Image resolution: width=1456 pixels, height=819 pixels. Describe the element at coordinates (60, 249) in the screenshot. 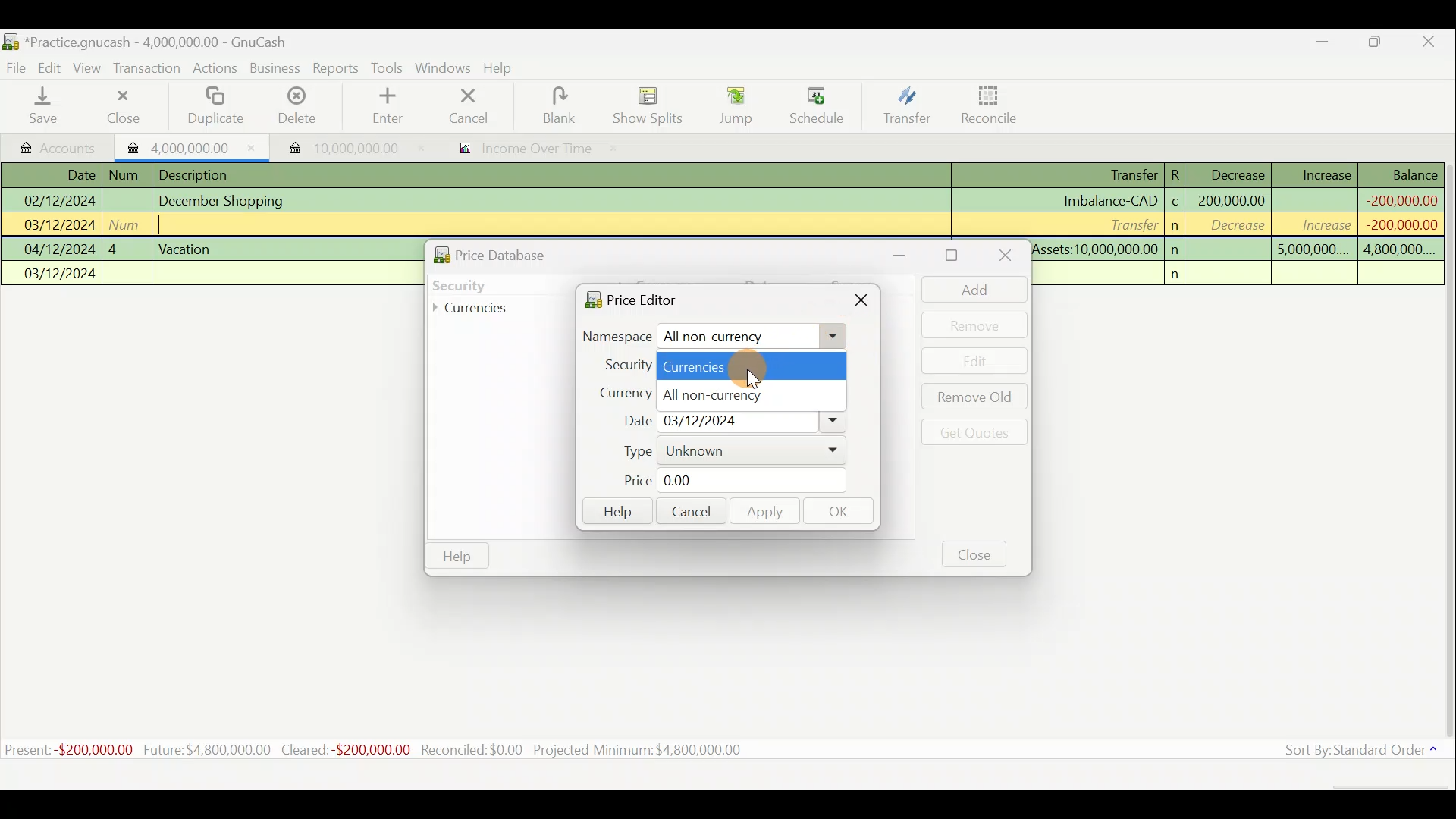

I see `04/12/2024` at that location.